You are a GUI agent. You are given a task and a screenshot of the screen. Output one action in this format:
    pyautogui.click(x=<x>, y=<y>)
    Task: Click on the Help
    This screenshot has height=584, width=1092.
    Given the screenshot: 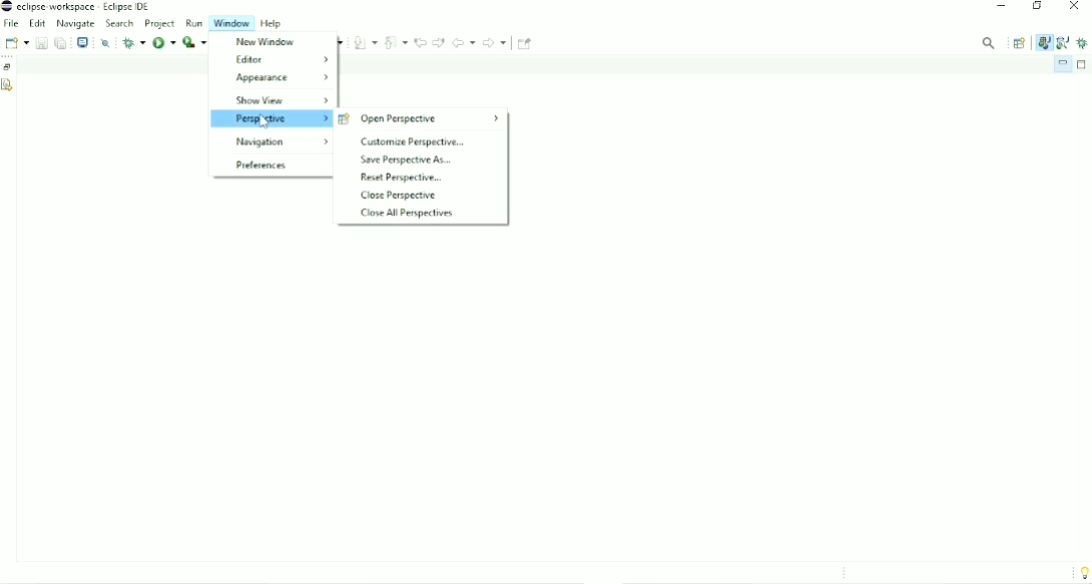 What is the action you would take?
    pyautogui.click(x=275, y=23)
    